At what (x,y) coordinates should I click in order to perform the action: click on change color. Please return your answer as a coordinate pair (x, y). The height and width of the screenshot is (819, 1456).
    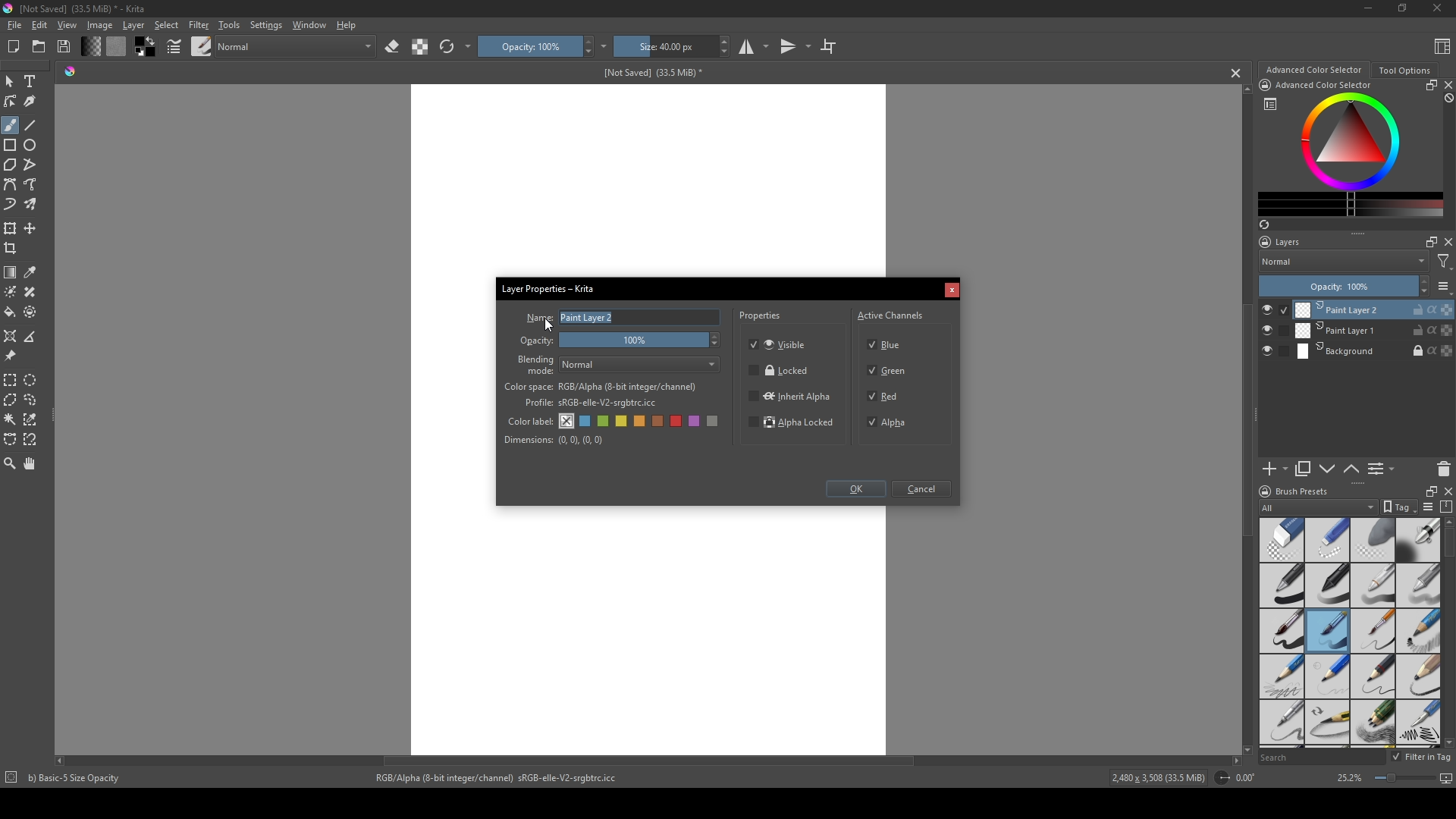
    Looking at the image, I should click on (1351, 204).